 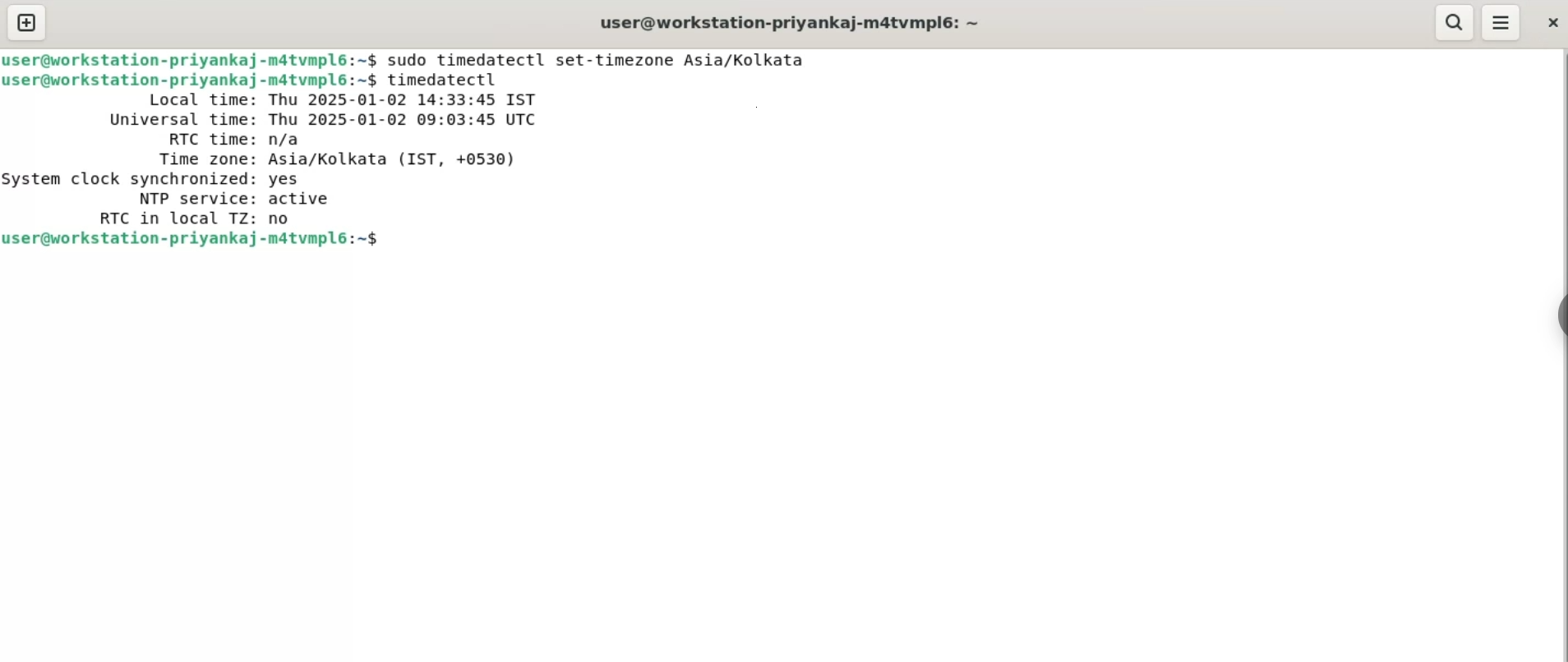 I want to click on new tab, so click(x=29, y=23).